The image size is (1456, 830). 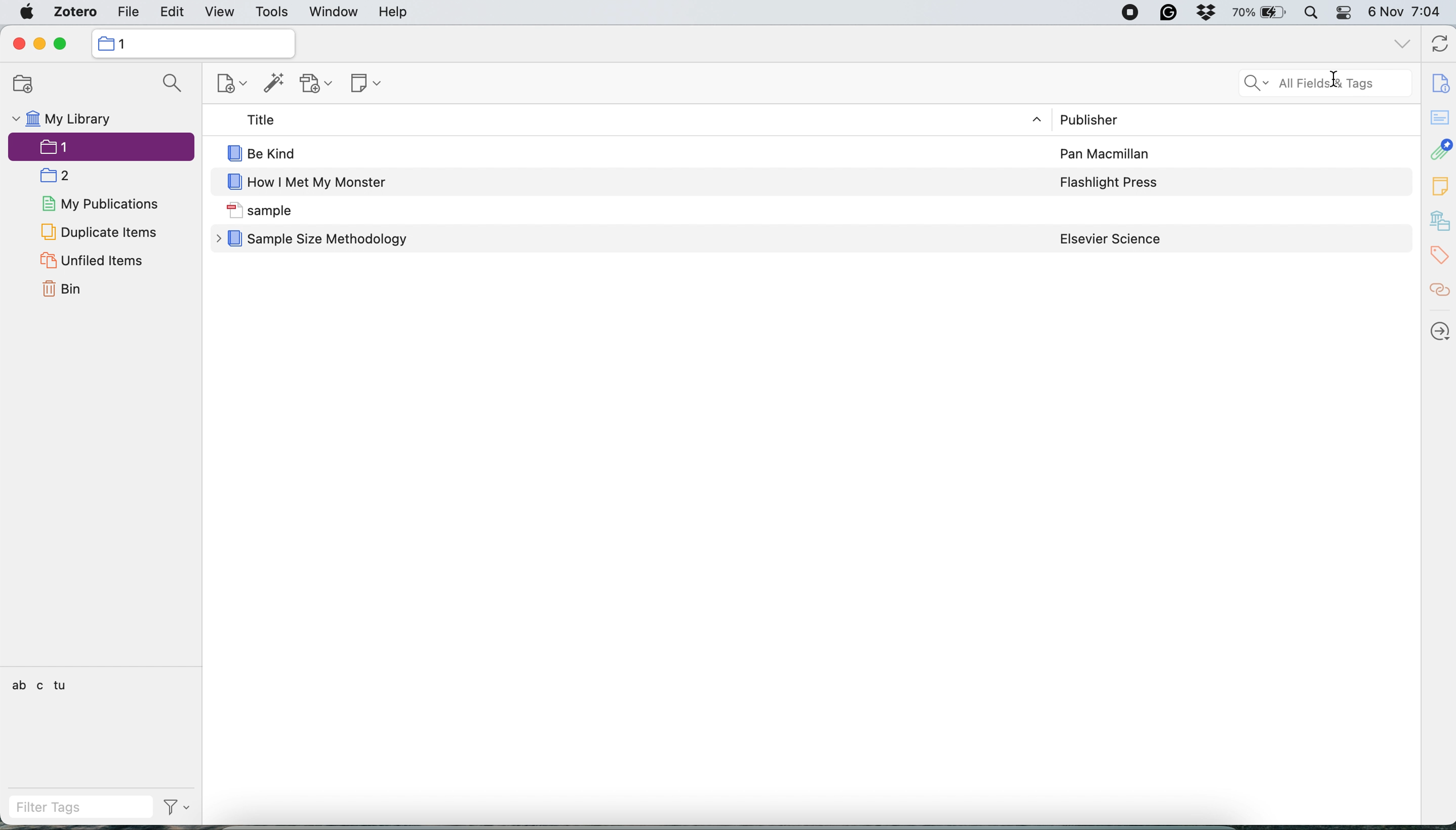 What do you see at coordinates (331, 241) in the screenshot?
I see `Sample Size Methodology` at bounding box center [331, 241].